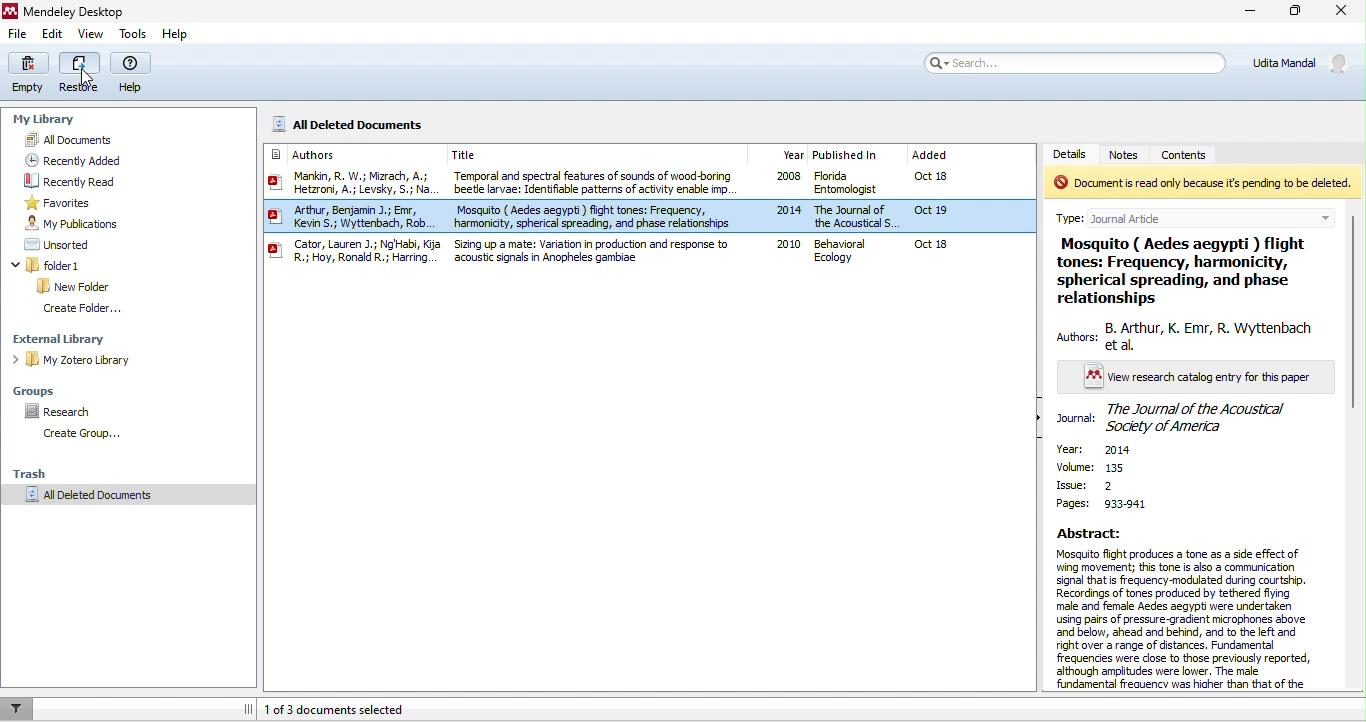  I want to click on folder1, so click(77, 265).